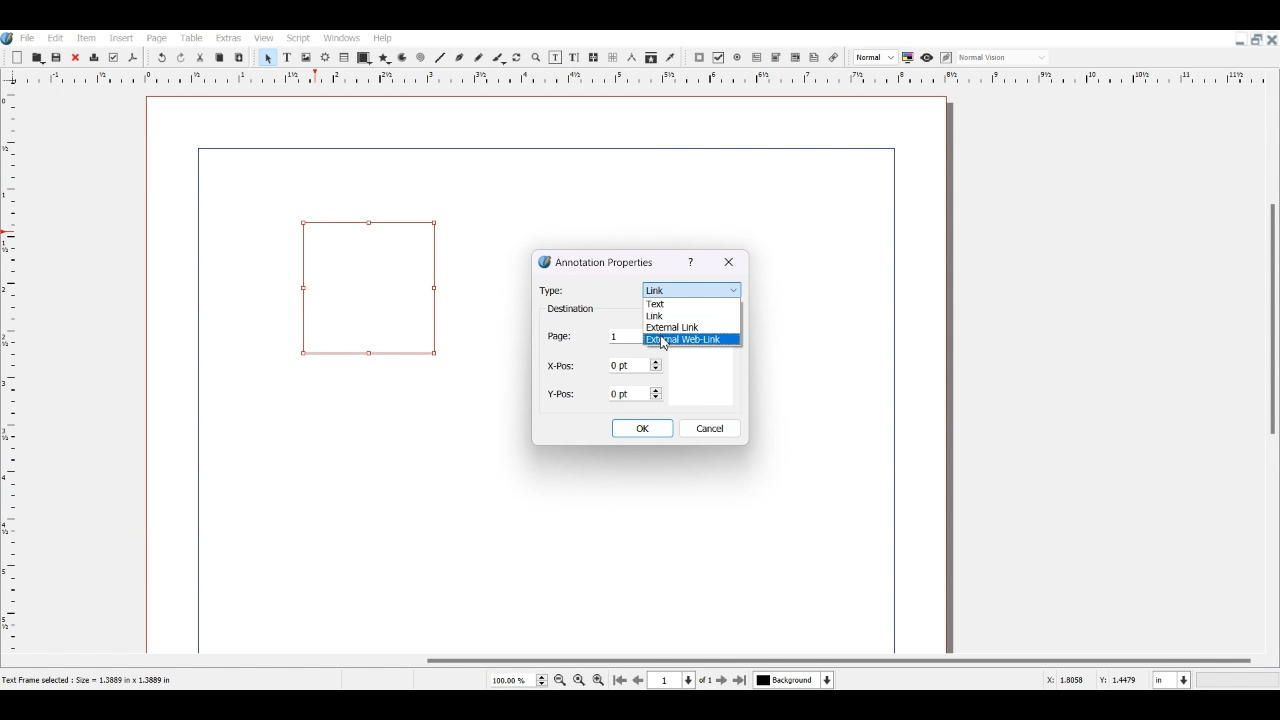 This screenshot has height=720, width=1280. I want to click on Text Annotation , so click(815, 57).